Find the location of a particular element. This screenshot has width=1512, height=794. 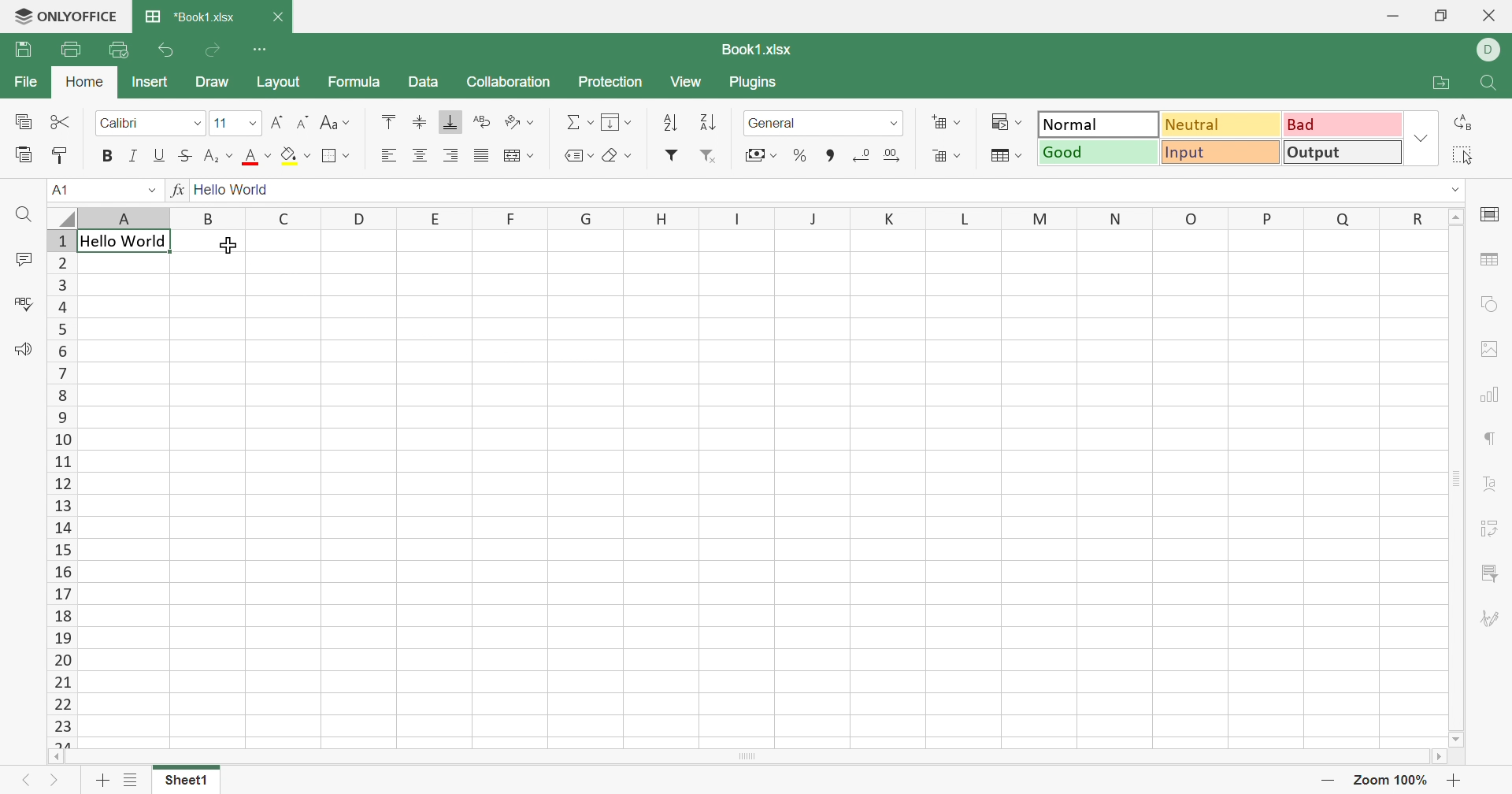

Sheet1 is located at coordinates (184, 784).